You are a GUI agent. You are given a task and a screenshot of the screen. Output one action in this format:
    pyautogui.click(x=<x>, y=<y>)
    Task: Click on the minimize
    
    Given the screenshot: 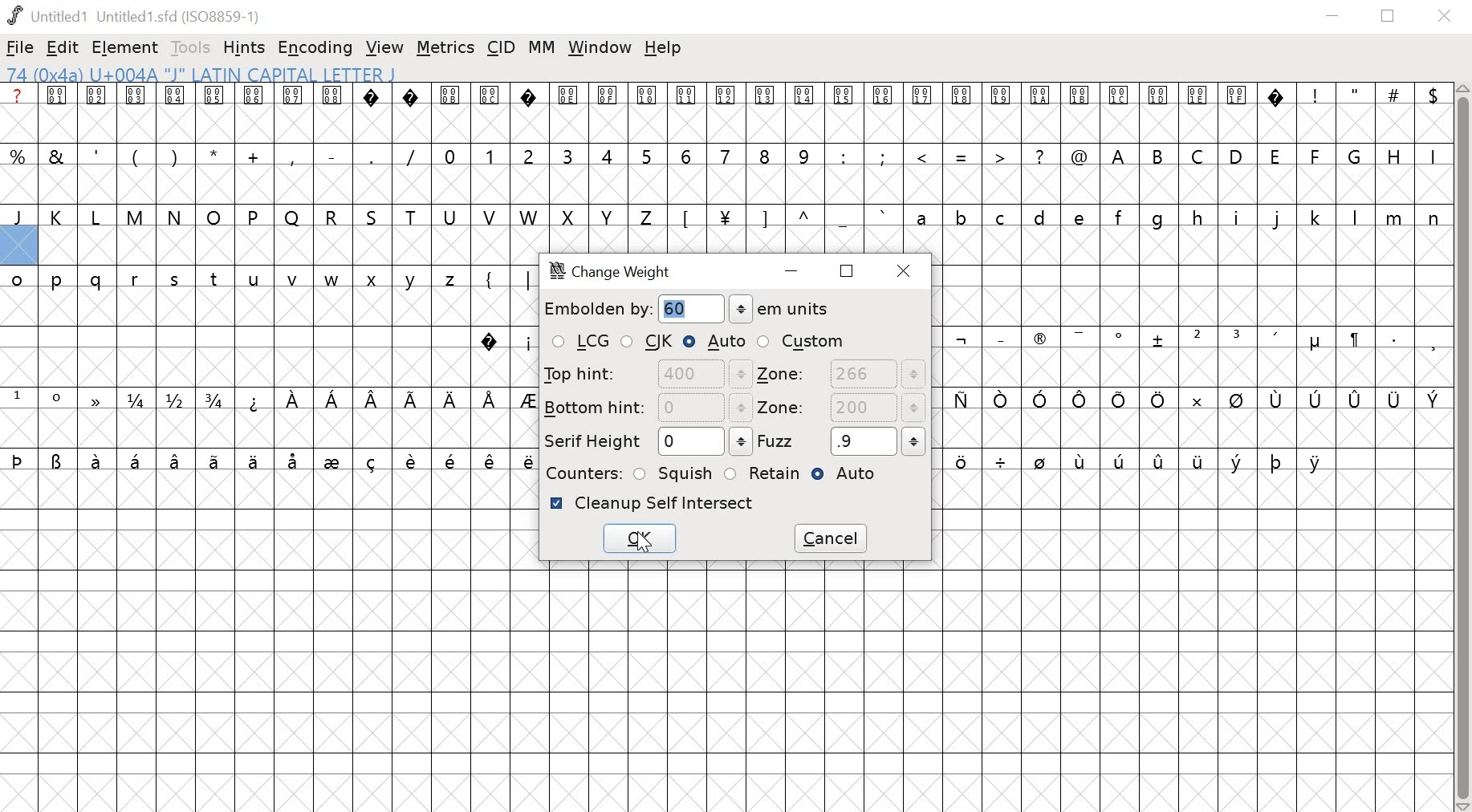 What is the action you would take?
    pyautogui.click(x=795, y=273)
    